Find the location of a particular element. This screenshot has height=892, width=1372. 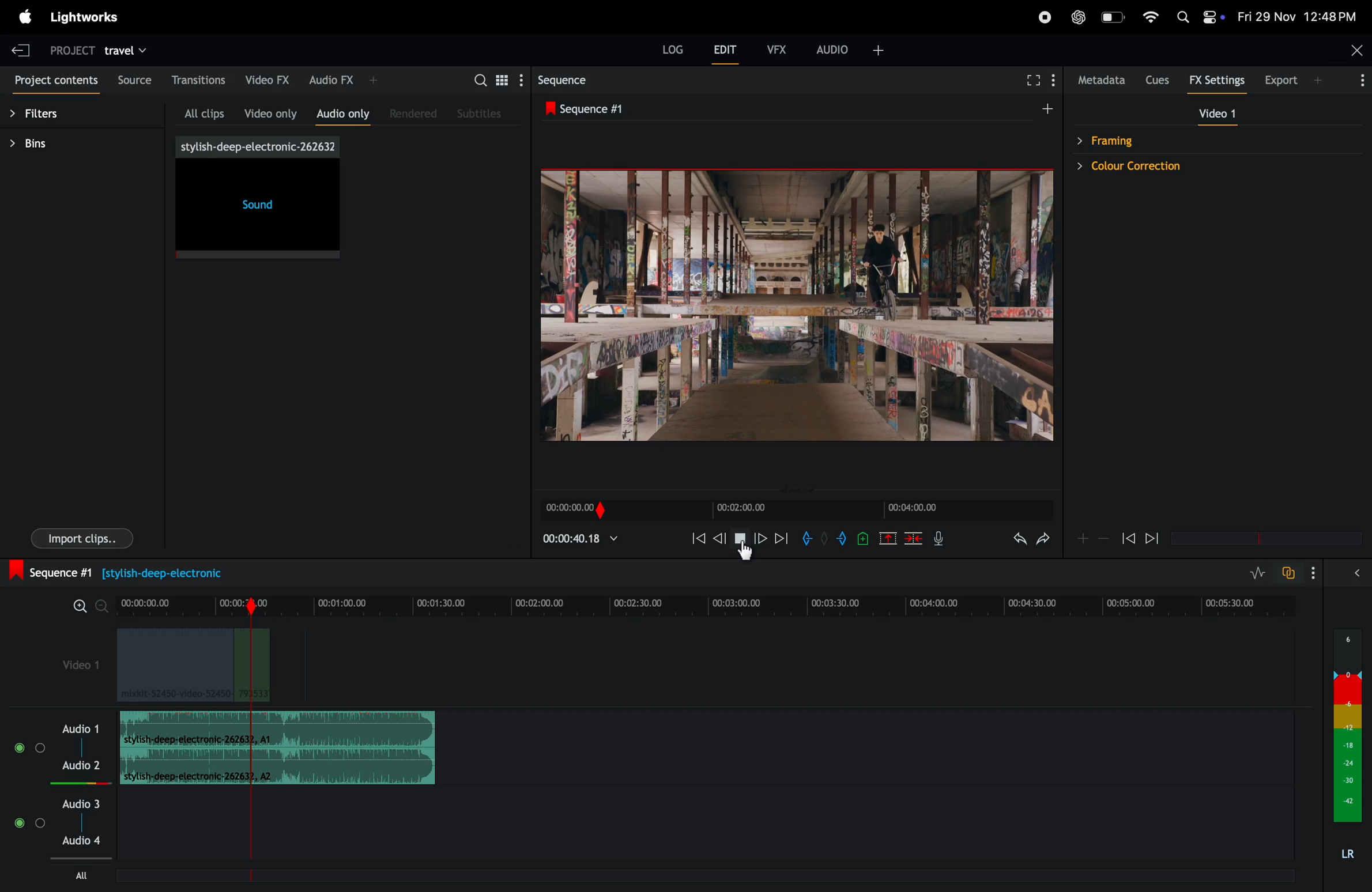

record is located at coordinates (1045, 17).